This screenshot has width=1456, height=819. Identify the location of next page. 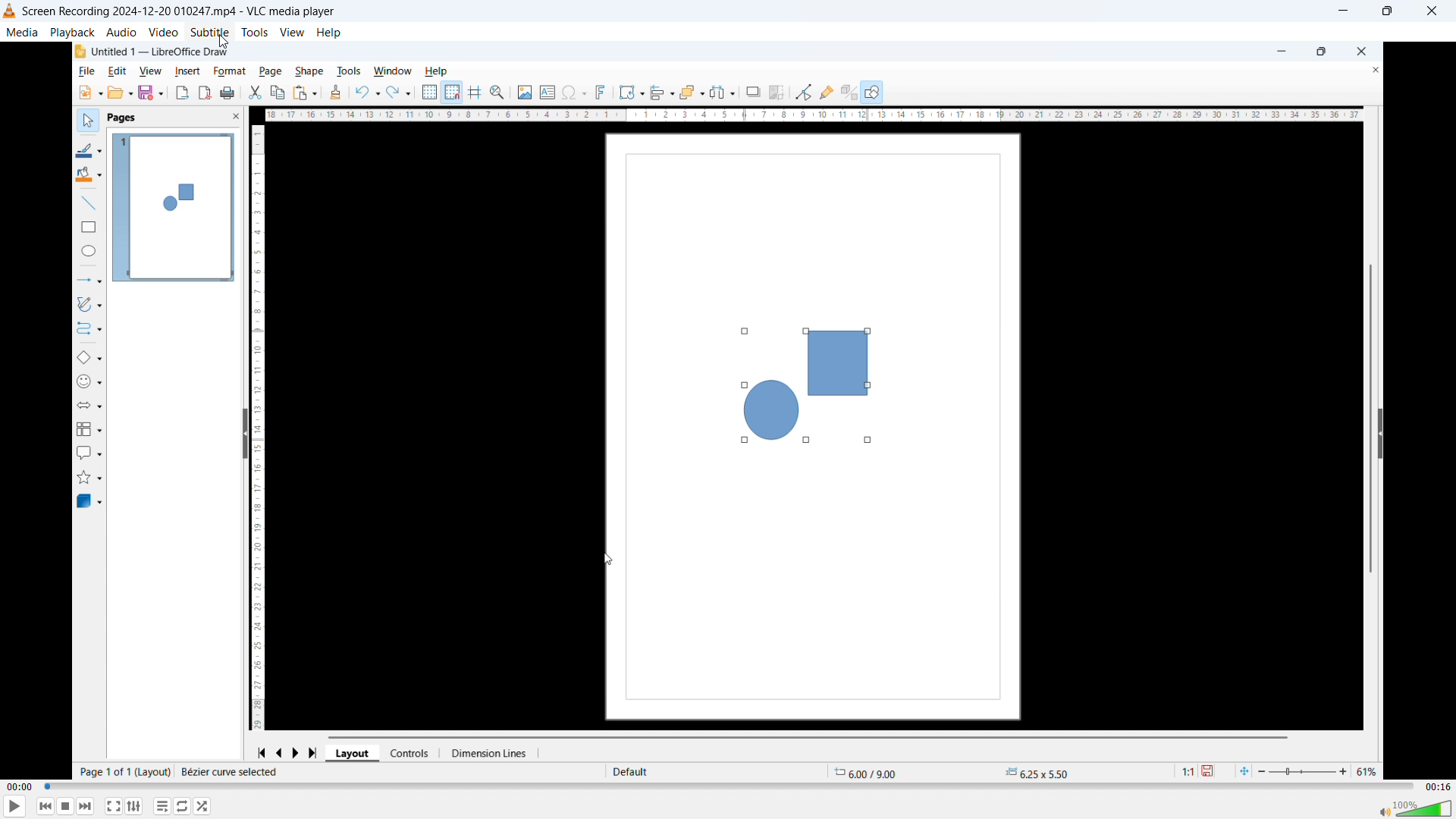
(301, 751).